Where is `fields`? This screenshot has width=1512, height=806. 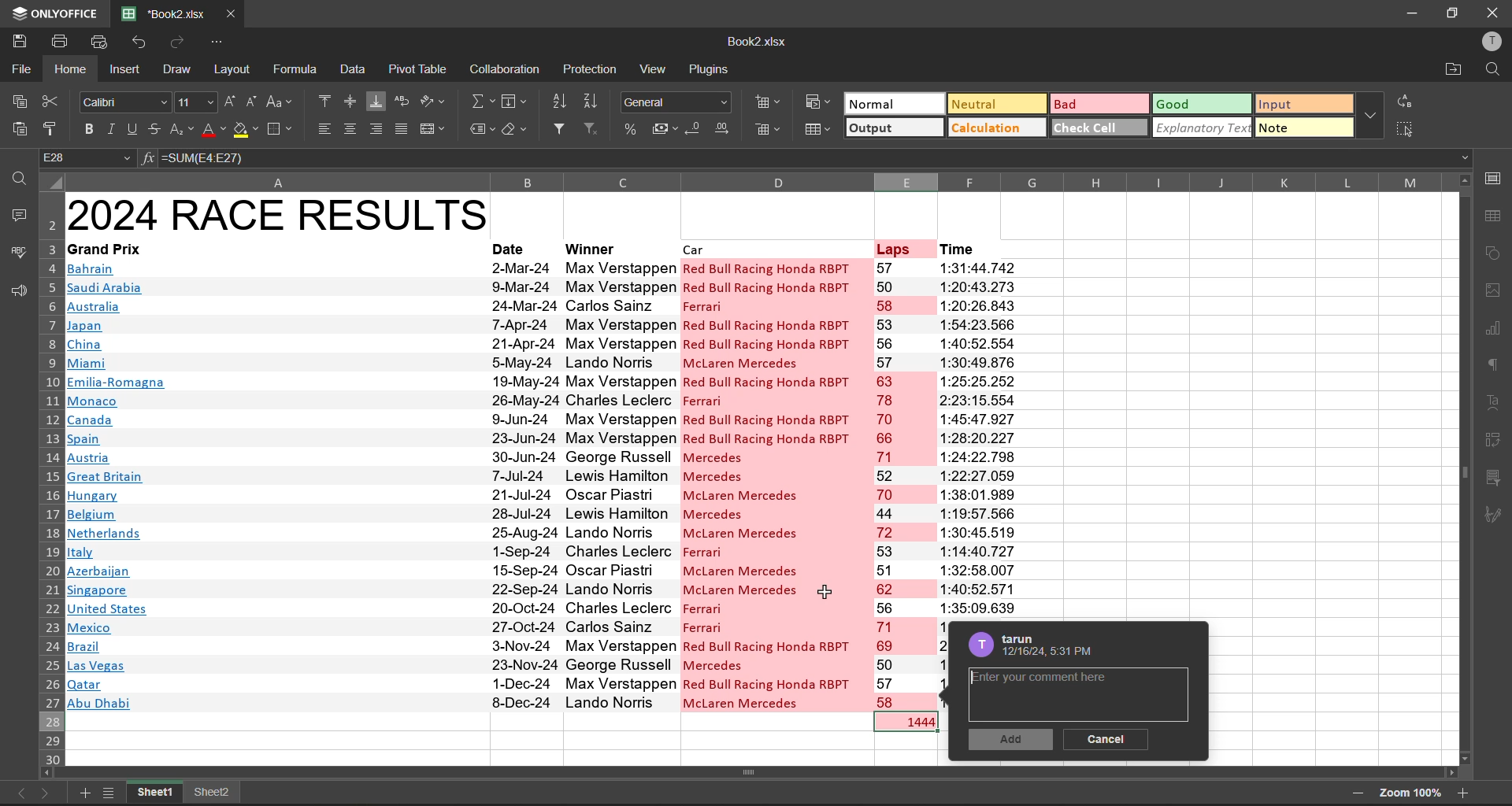
fields is located at coordinates (510, 105).